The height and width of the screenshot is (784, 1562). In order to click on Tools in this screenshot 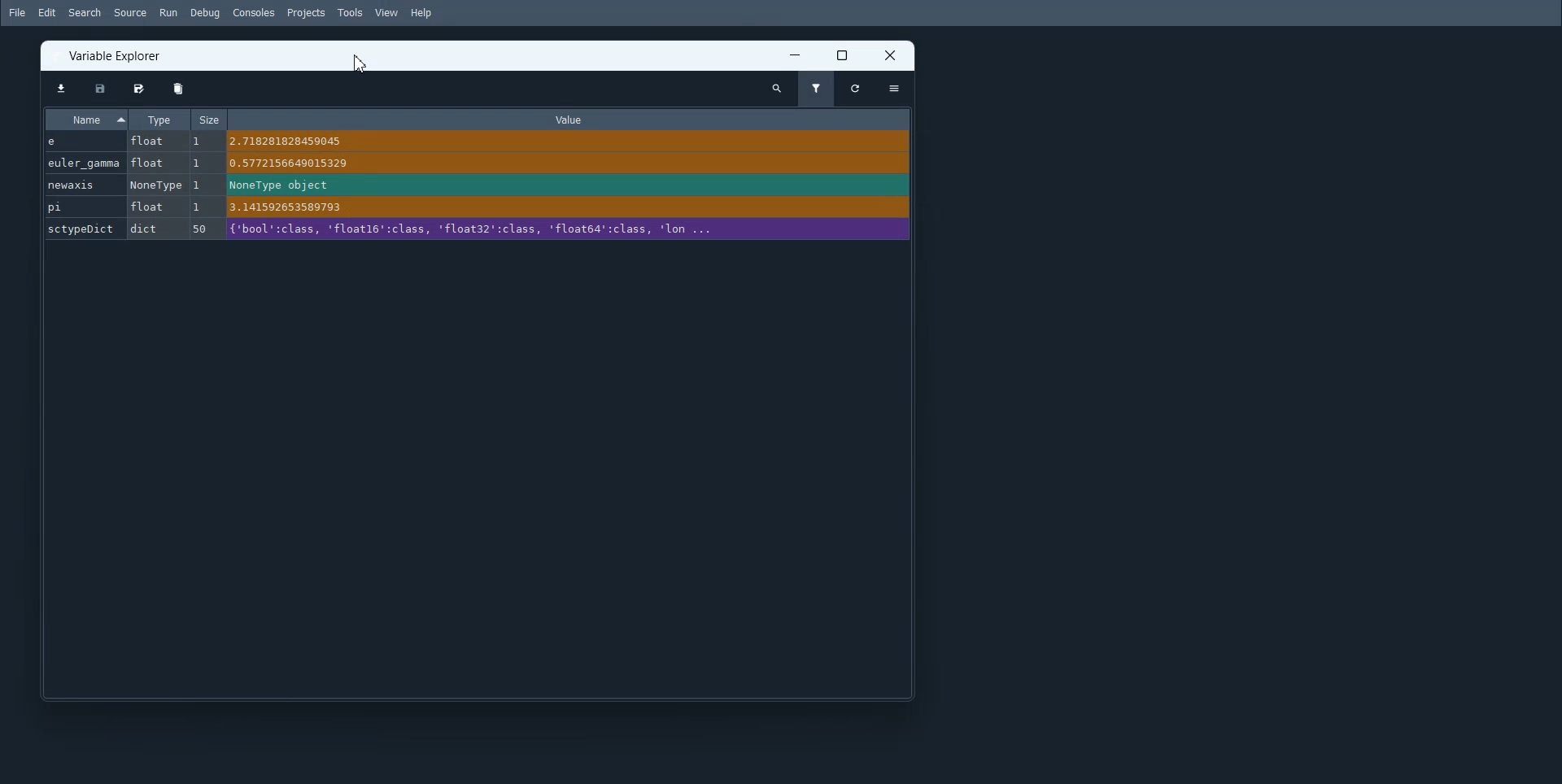, I will do `click(348, 12)`.